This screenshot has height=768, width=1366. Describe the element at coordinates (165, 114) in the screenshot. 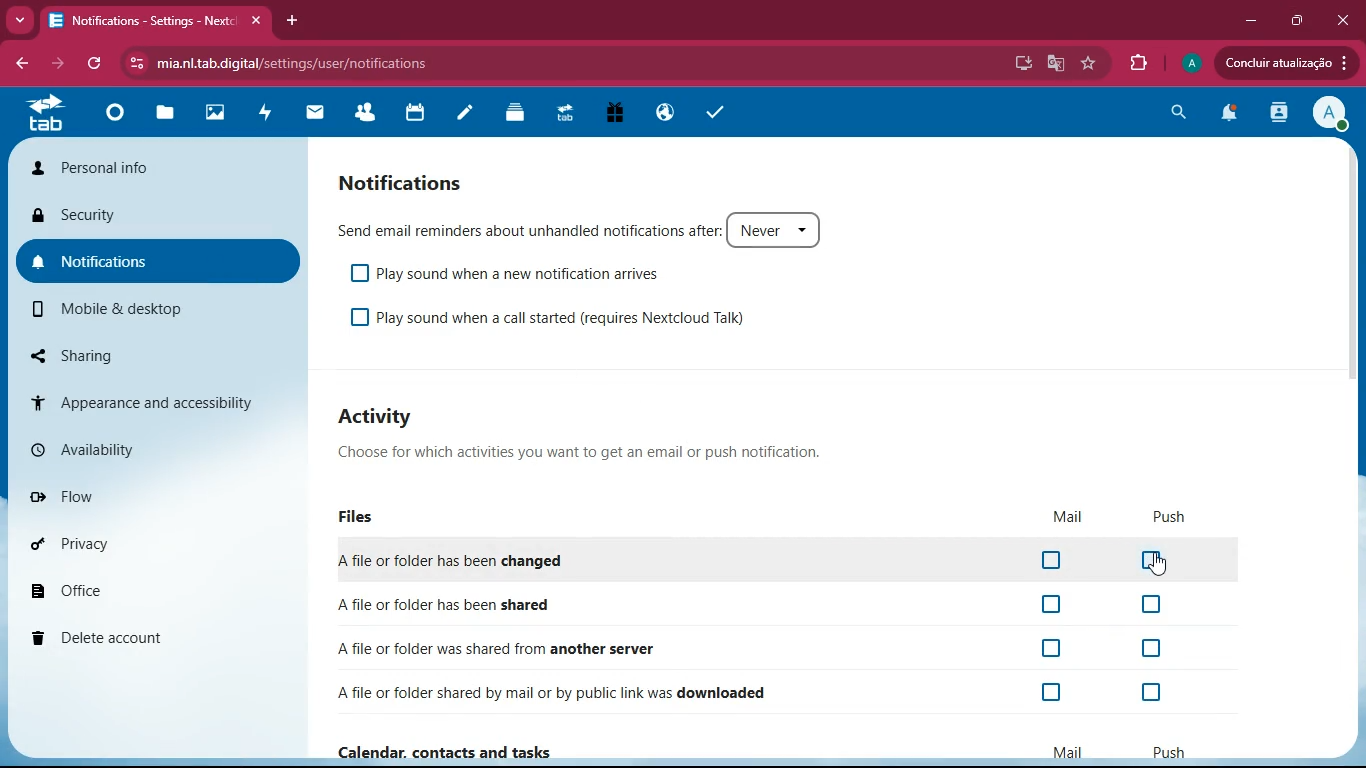

I see `files` at that location.